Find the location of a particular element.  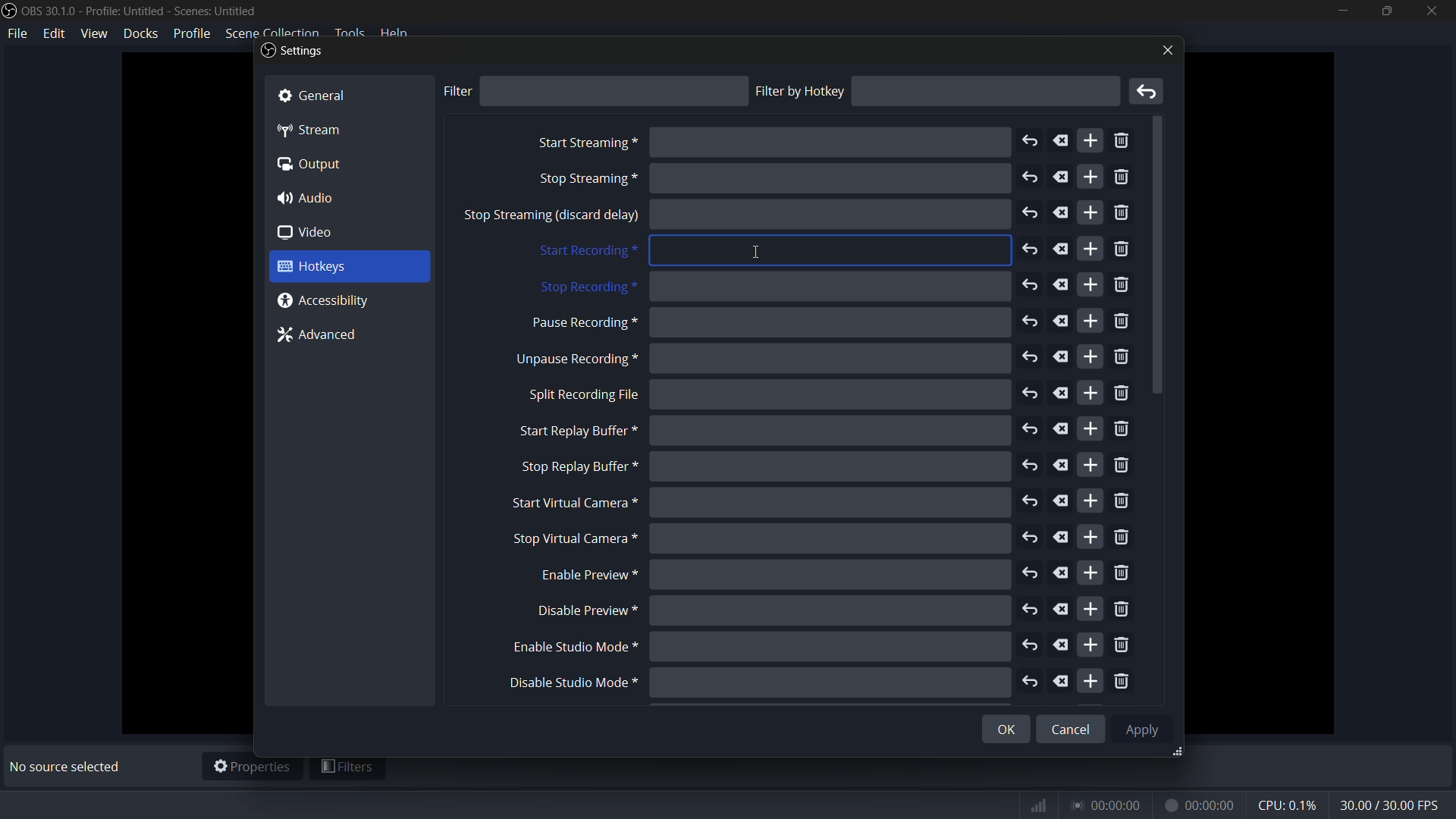

undo is located at coordinates (1028, 142).